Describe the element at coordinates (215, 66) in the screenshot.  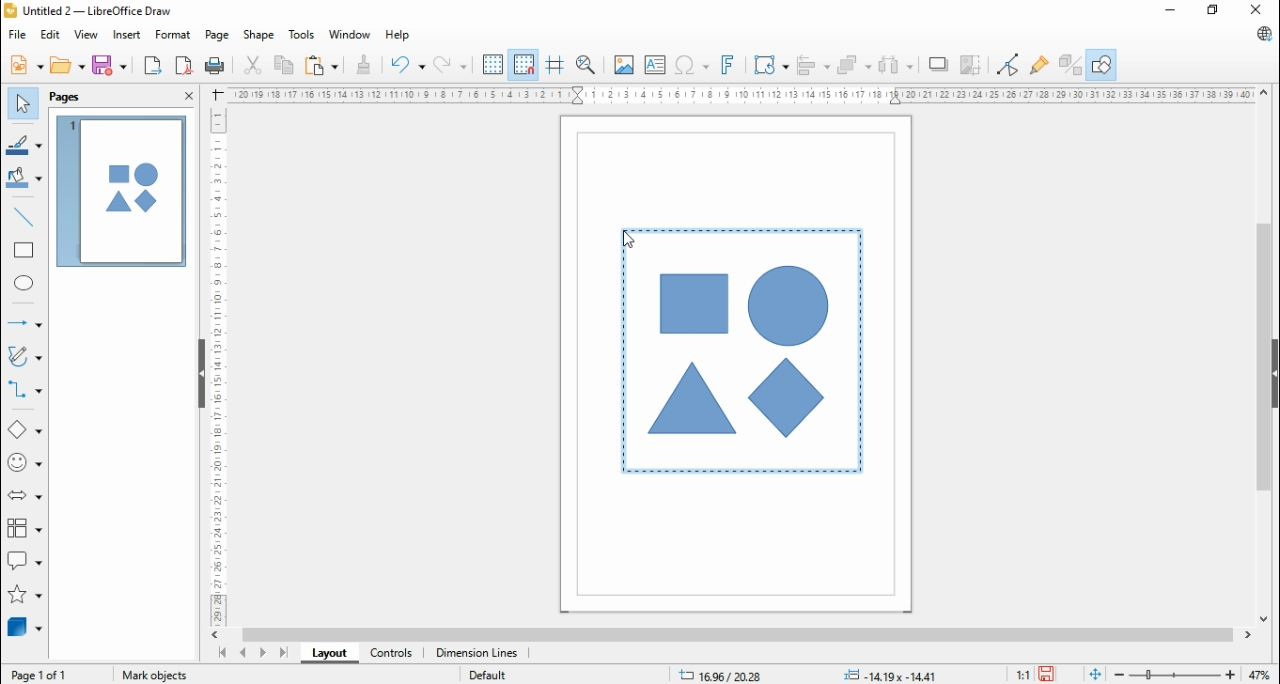
I see `print` at that location.